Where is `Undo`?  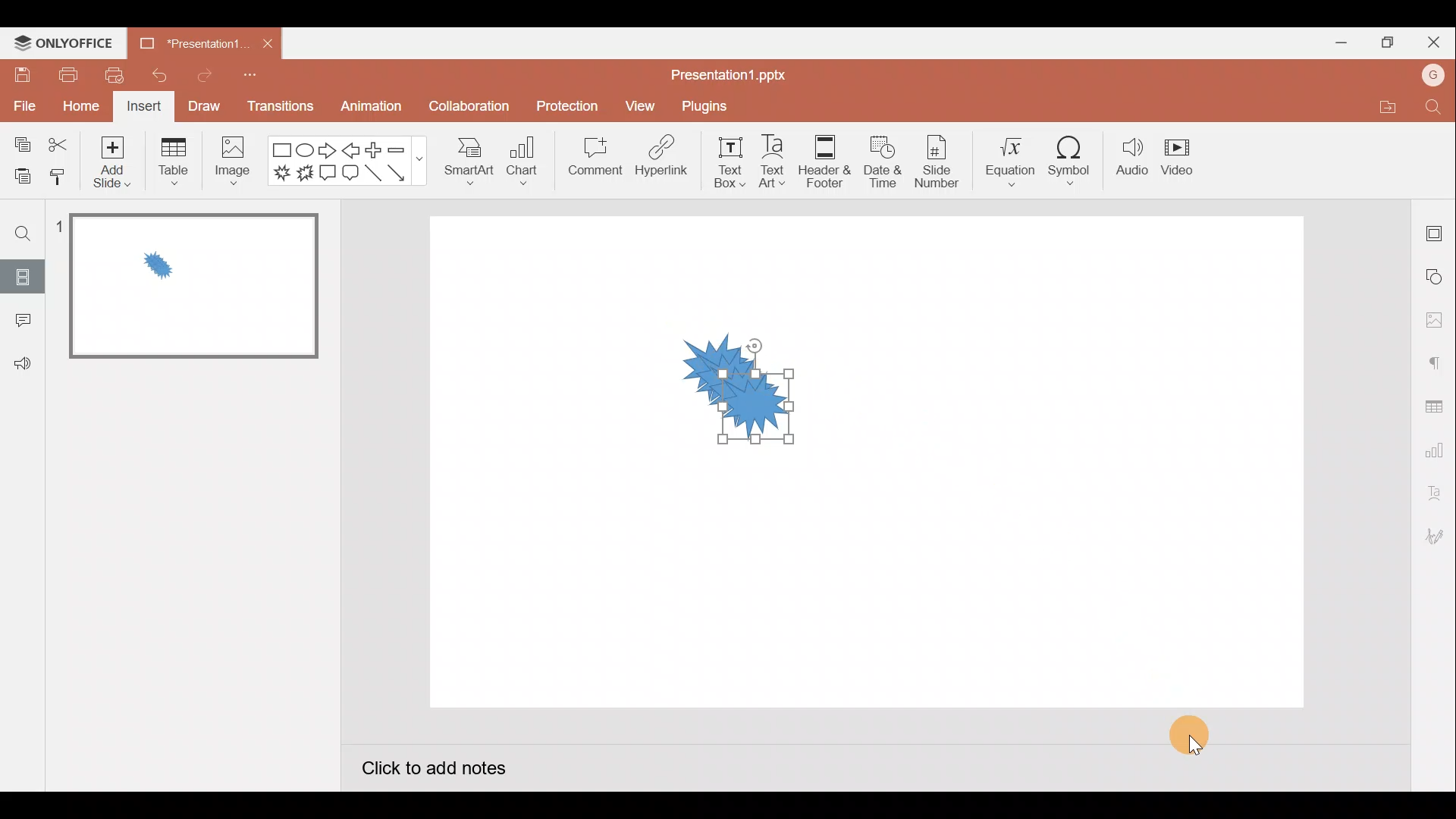
Undo is located at coordinates (158, 73).